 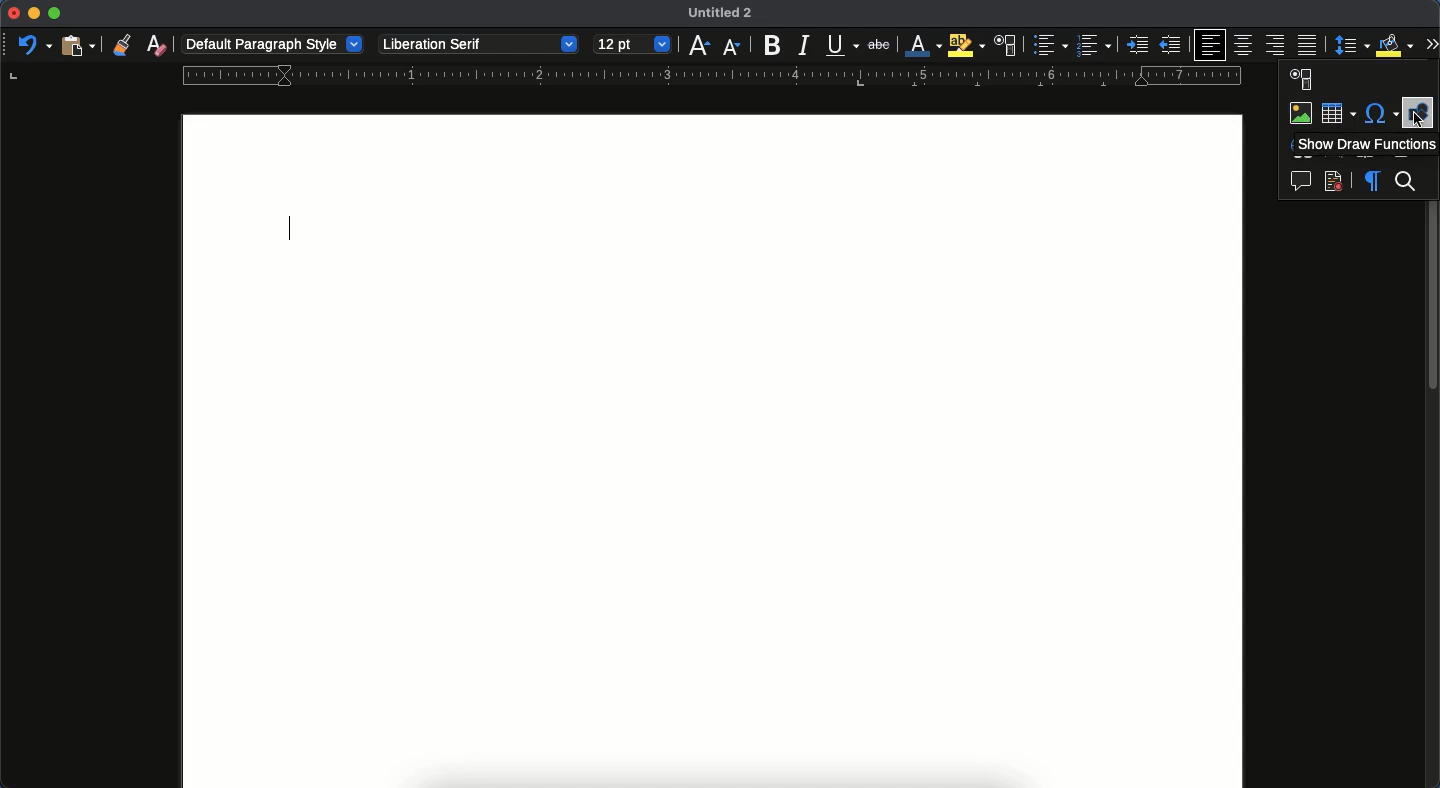 What do you see at coordinates (1302, 114) in the screenshot?
I see `images` at bounding box center [1302, 114].